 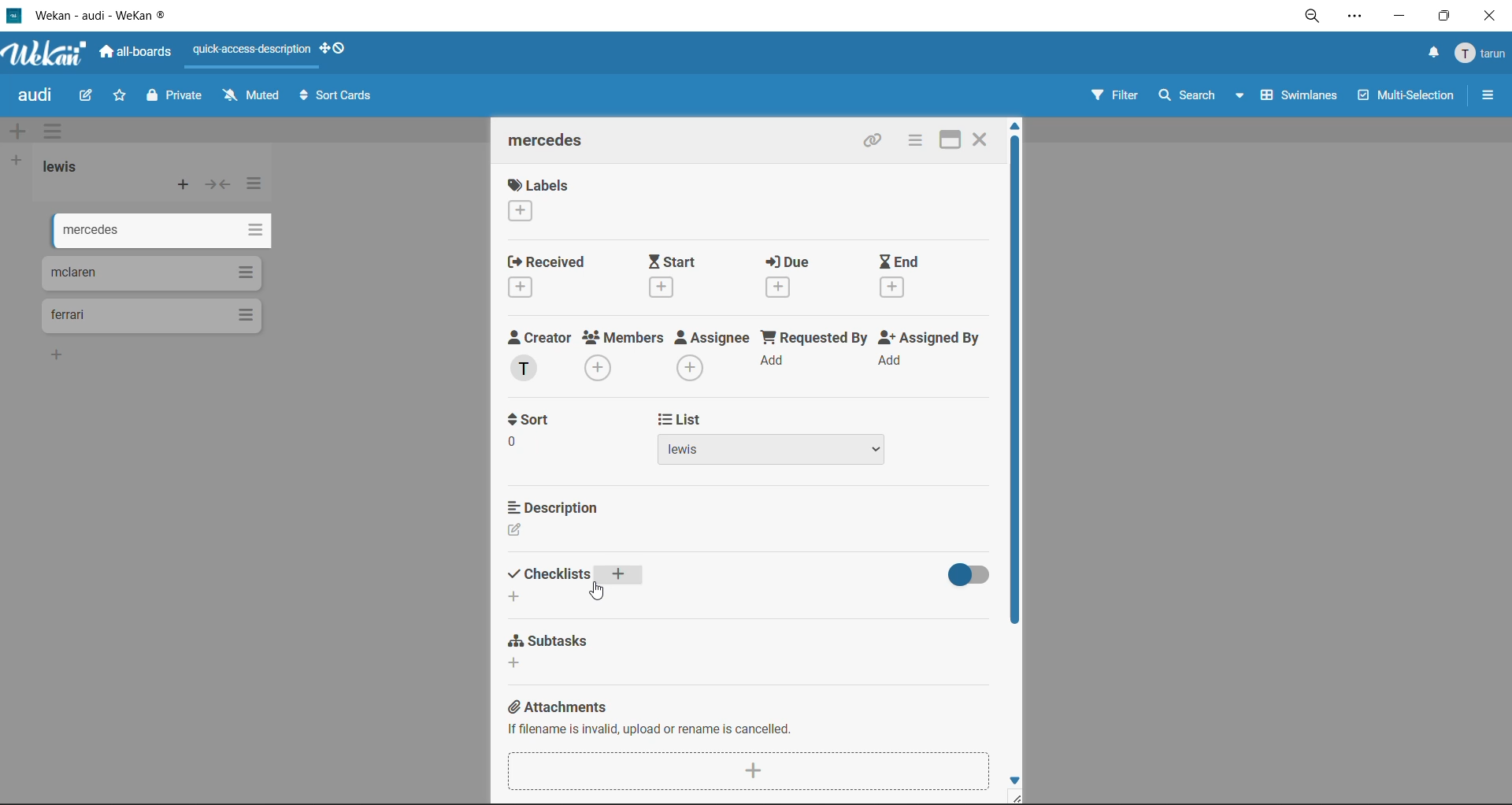 What do you see at coordinates (535, 418) in the screenshot?
I see `t` at bounding box center [535, 418].